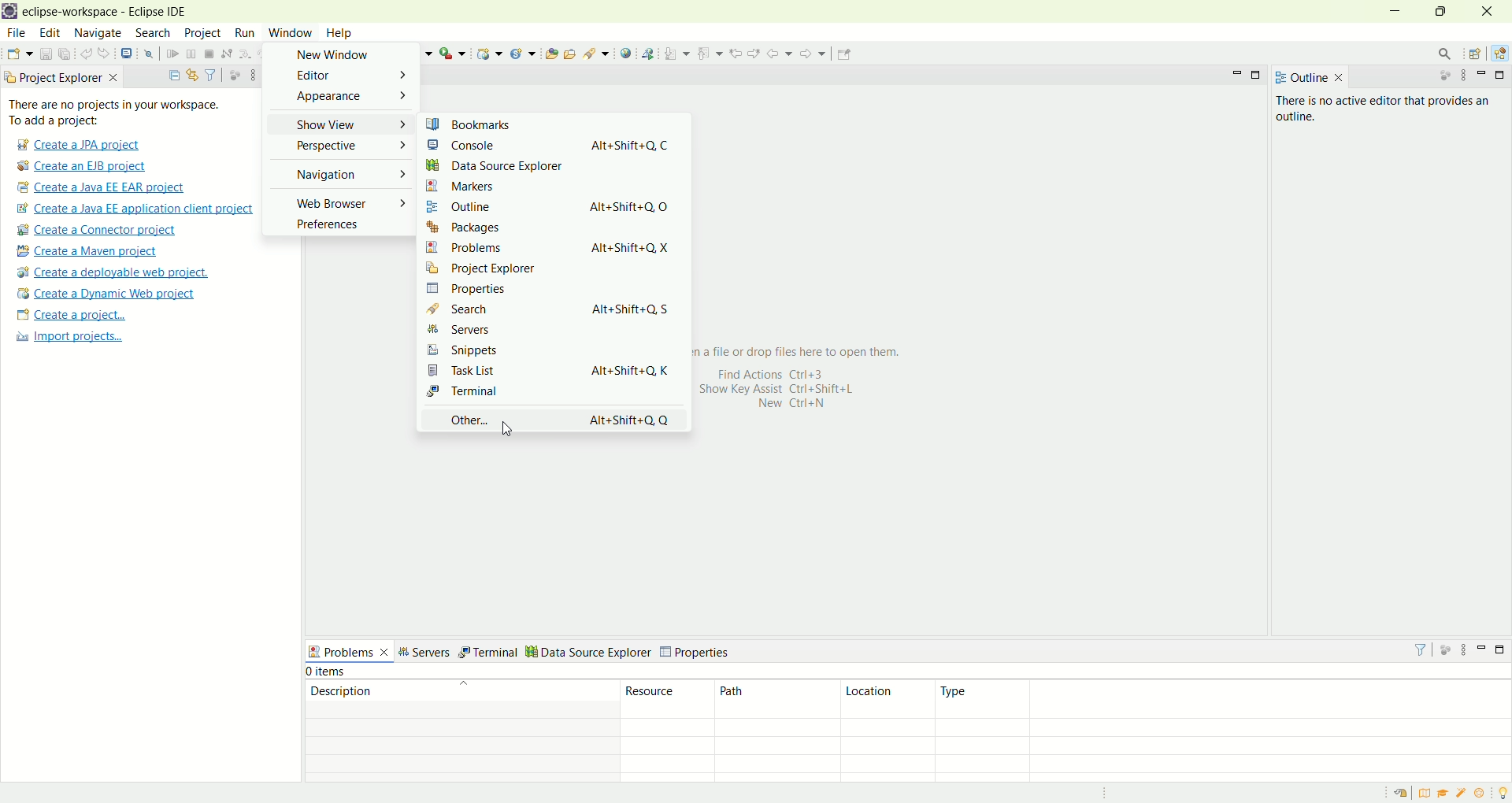 This screenshot has height=803, width=1512. Describe the element at coordinates (328, 672) in the screenshot. I see `items` at that location.